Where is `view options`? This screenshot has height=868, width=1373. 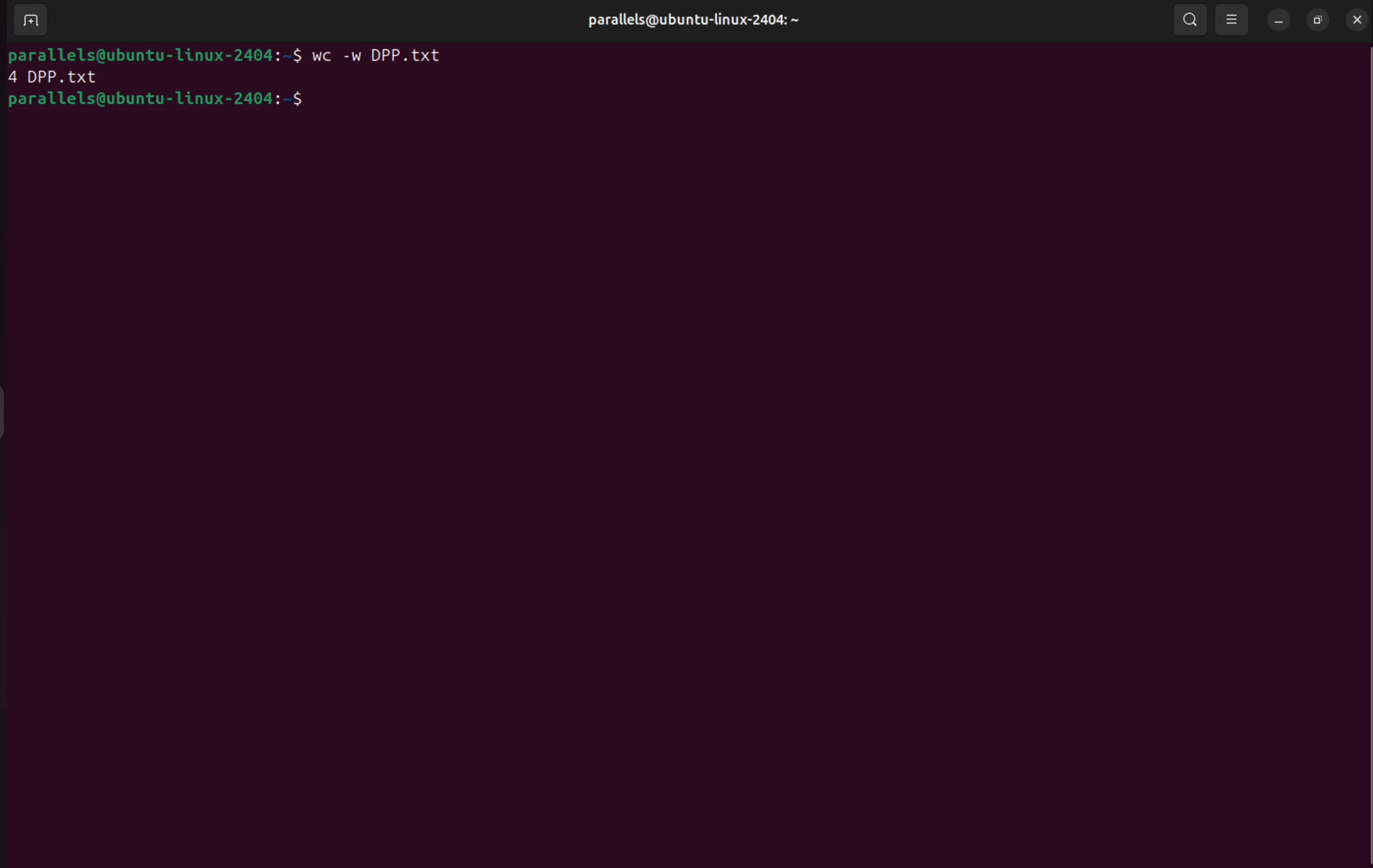
view options is located at coordinates (1234, 21).